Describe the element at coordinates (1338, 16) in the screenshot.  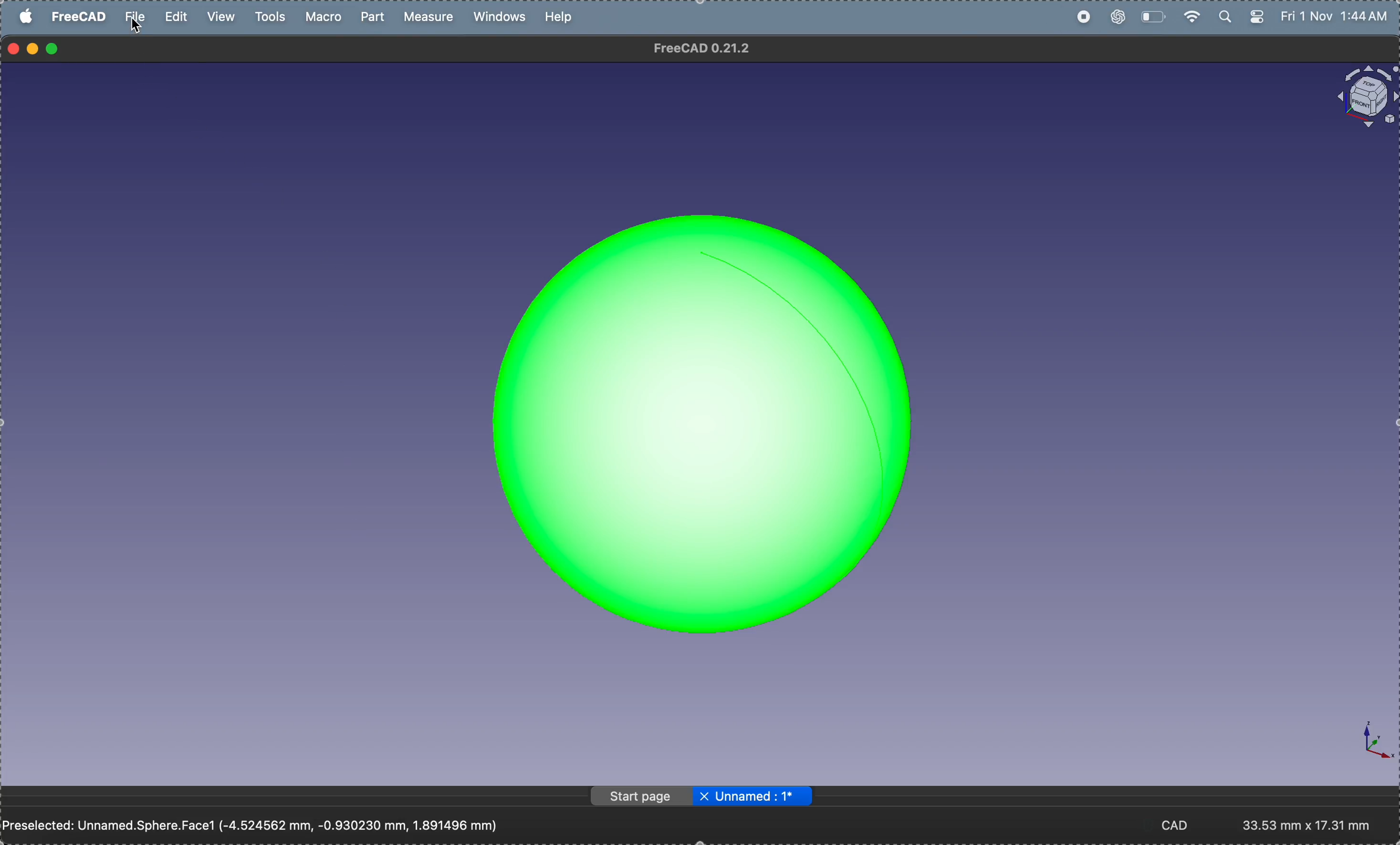
I see `time and date` at that location.